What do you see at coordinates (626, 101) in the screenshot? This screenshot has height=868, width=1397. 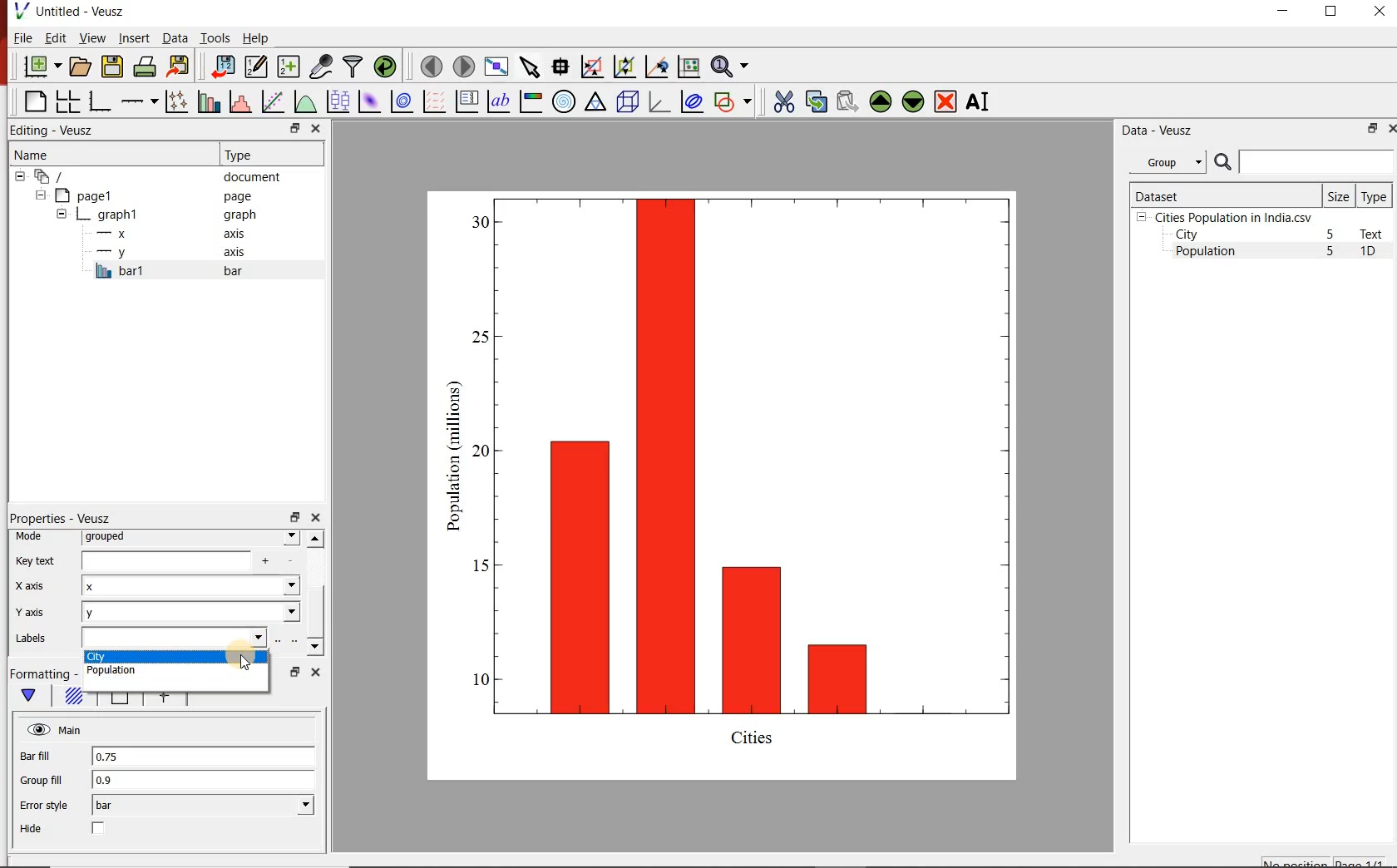 I see `3d scene` at bounding box center [626, 101].